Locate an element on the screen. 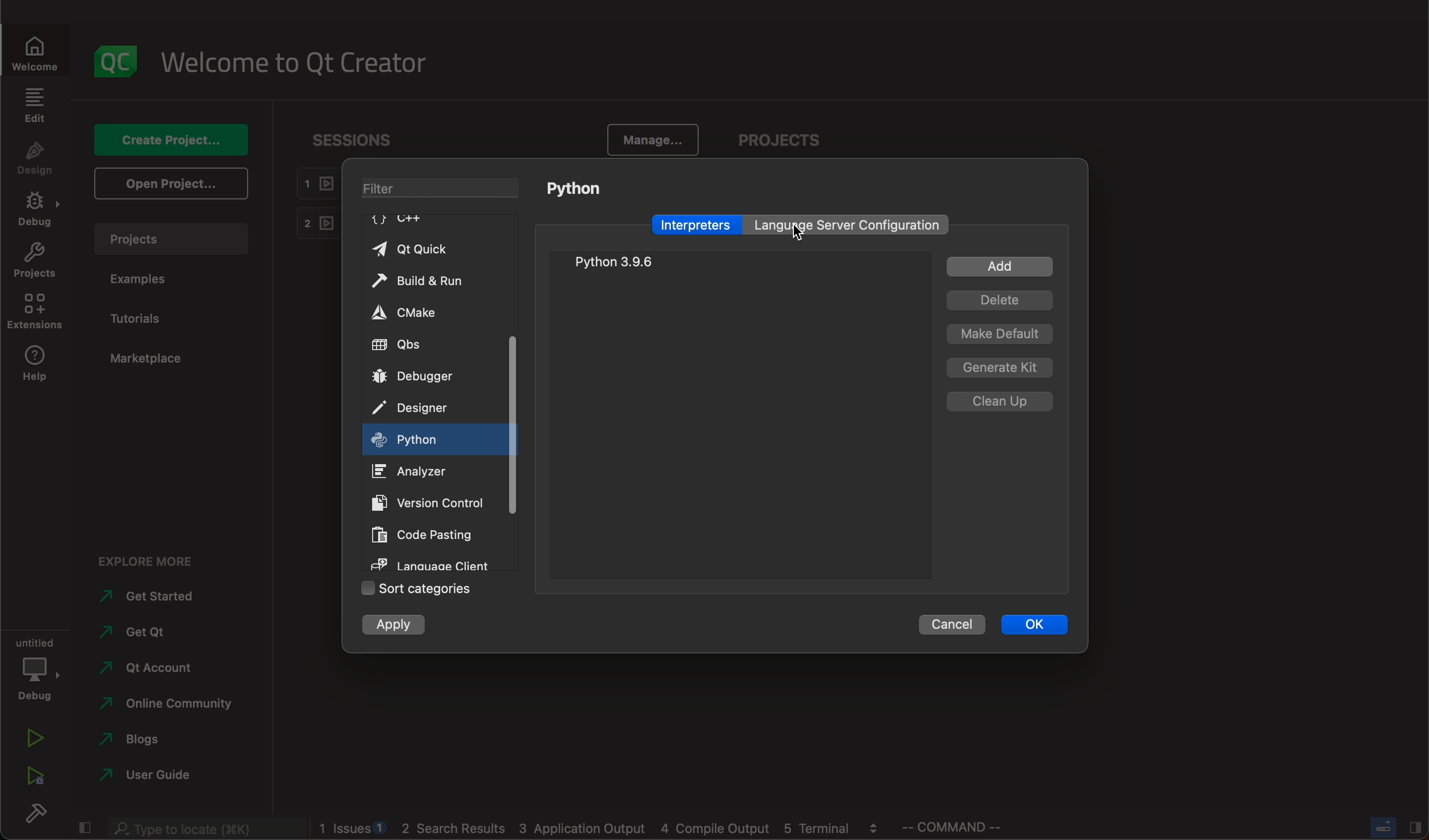 This screenshot has height=840, width=1429. version is located at coordinates (431, 502).